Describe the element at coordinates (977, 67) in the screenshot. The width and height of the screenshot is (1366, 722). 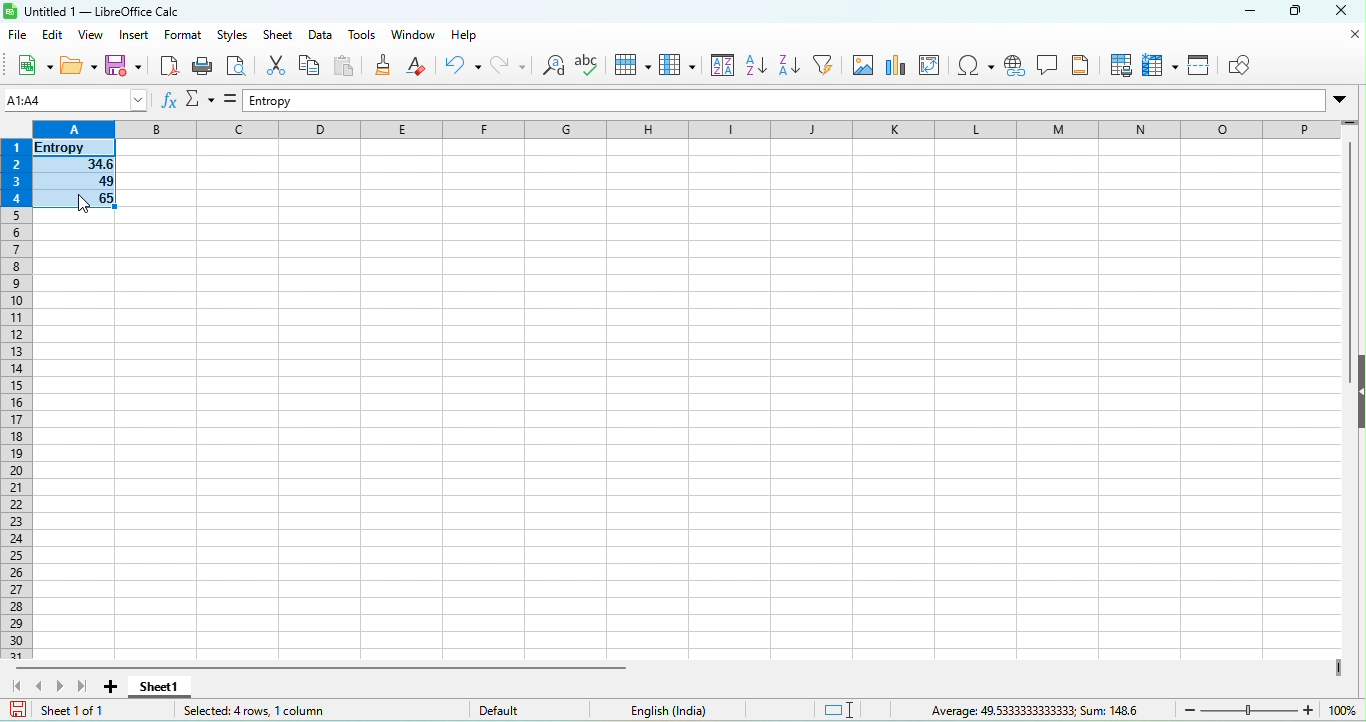
I see `special character` at that location.